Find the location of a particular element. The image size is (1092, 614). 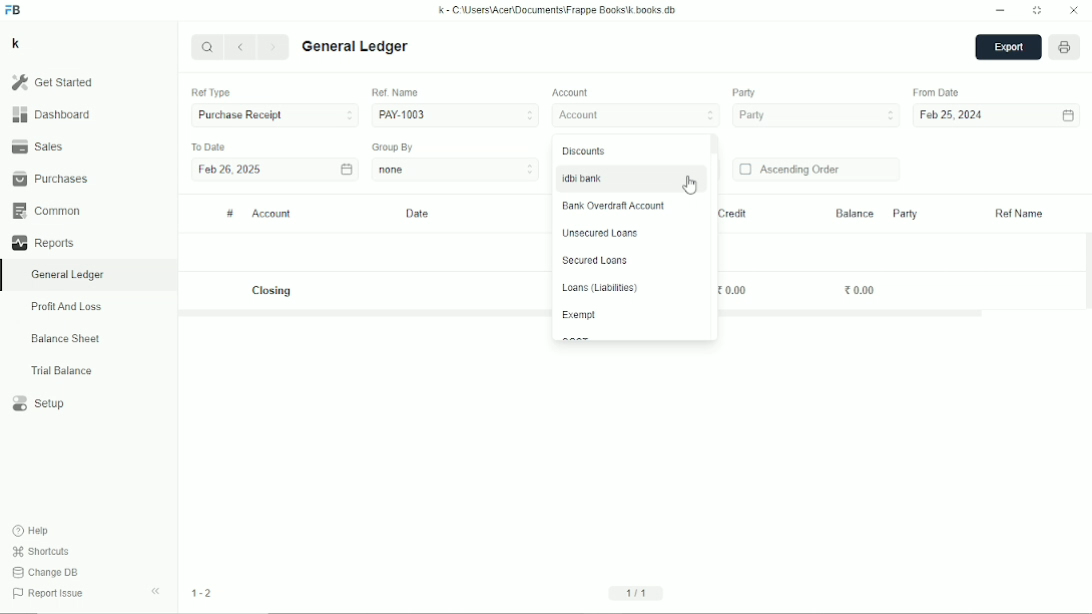

Shortcuts is located at coordinates (42, 552).